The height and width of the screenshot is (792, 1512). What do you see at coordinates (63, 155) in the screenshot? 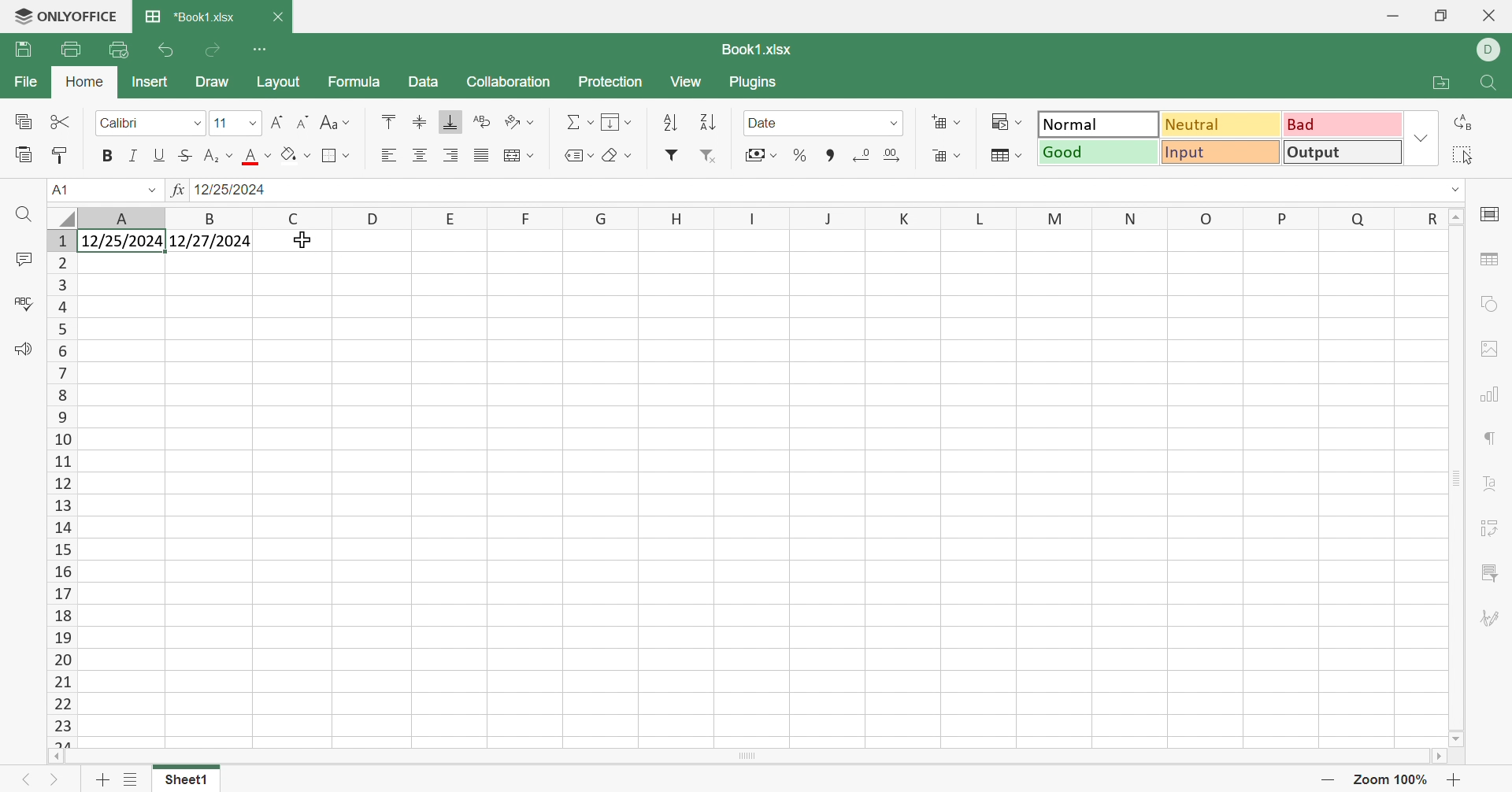
I see `Copy Style` at bounding box center [63, 155].